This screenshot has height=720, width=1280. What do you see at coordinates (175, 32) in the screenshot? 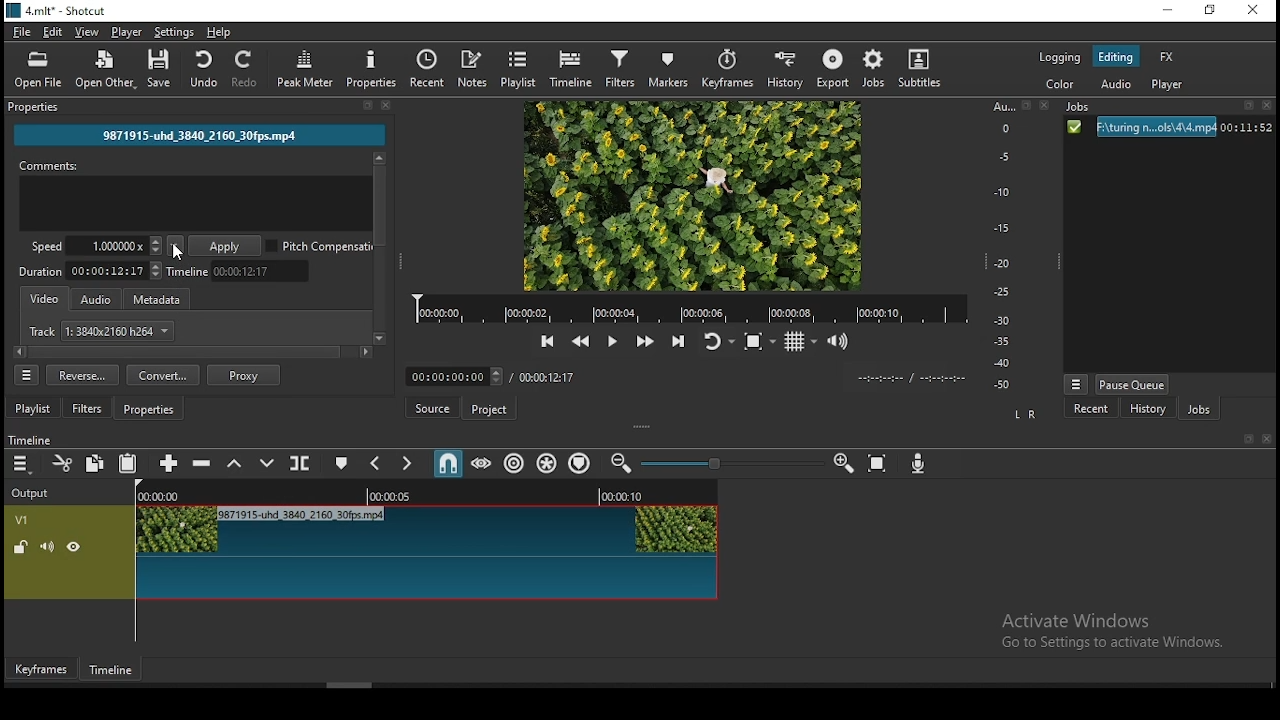
I see `settings` at bounding box center [175, 32].